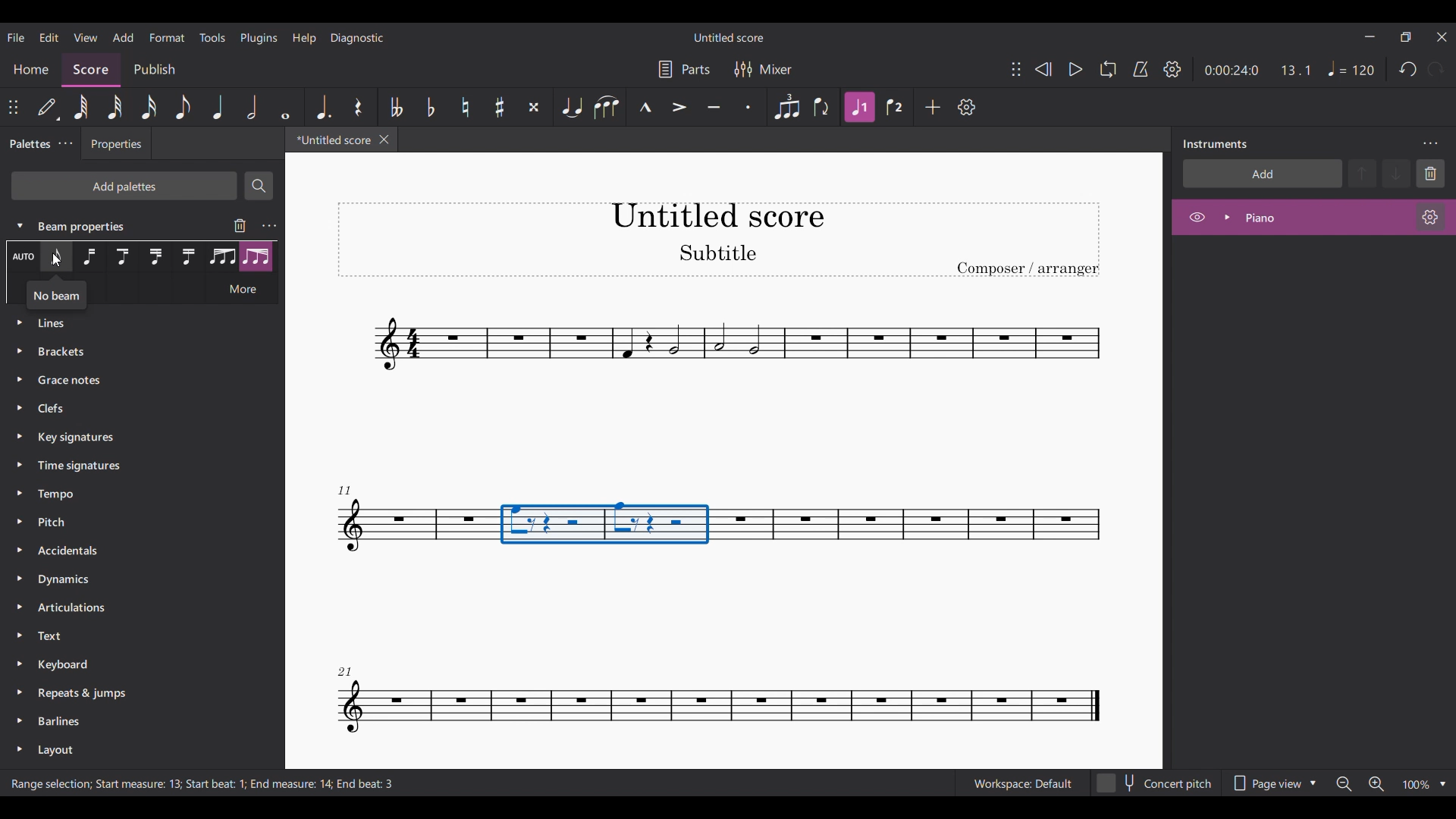 This screenshot has height=819, width=1456. I want to click on Whole note , so click(285, 106).